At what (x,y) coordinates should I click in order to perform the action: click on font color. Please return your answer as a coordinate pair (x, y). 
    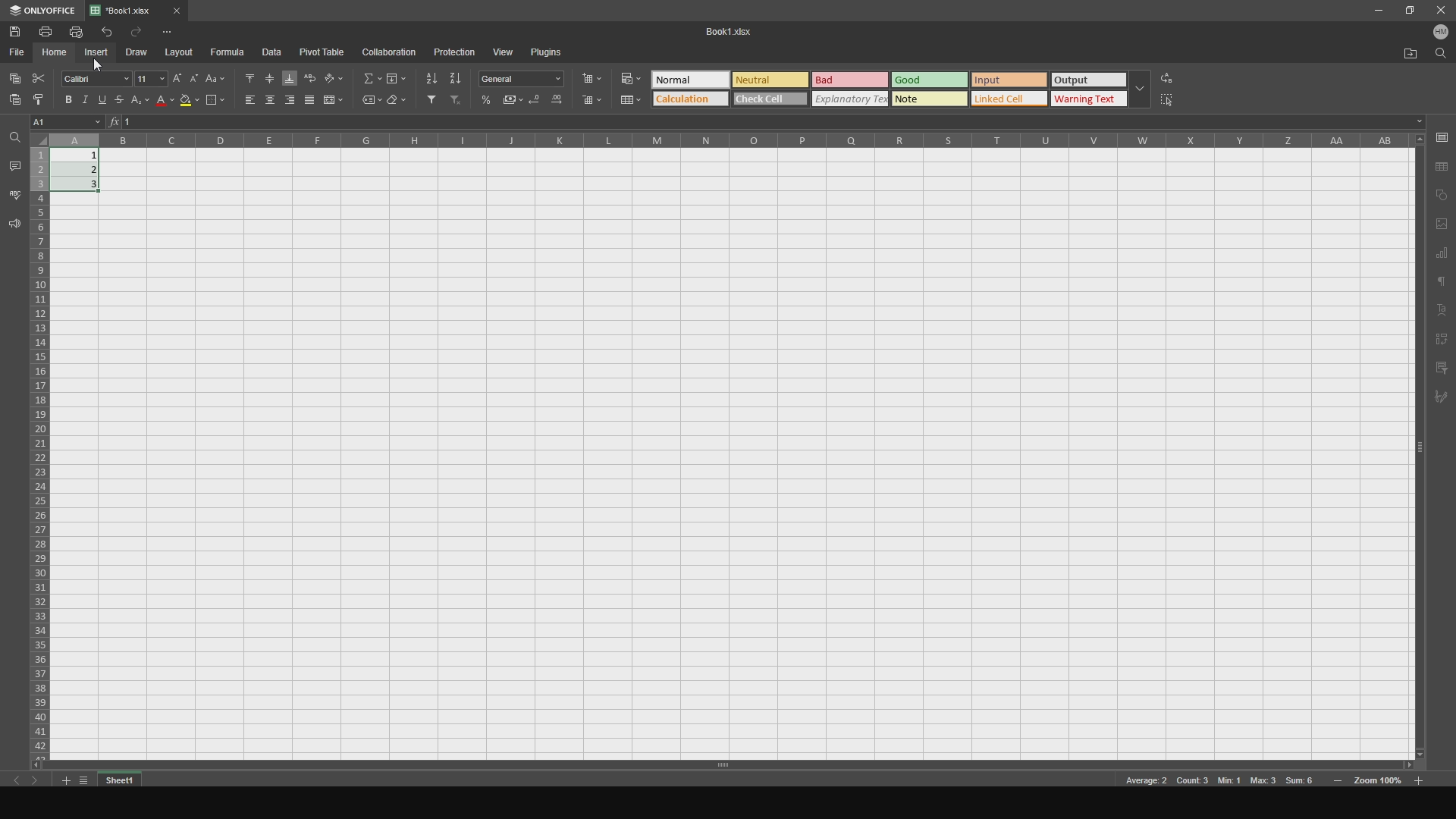
    Looking at the image, I should click on (165, 102).